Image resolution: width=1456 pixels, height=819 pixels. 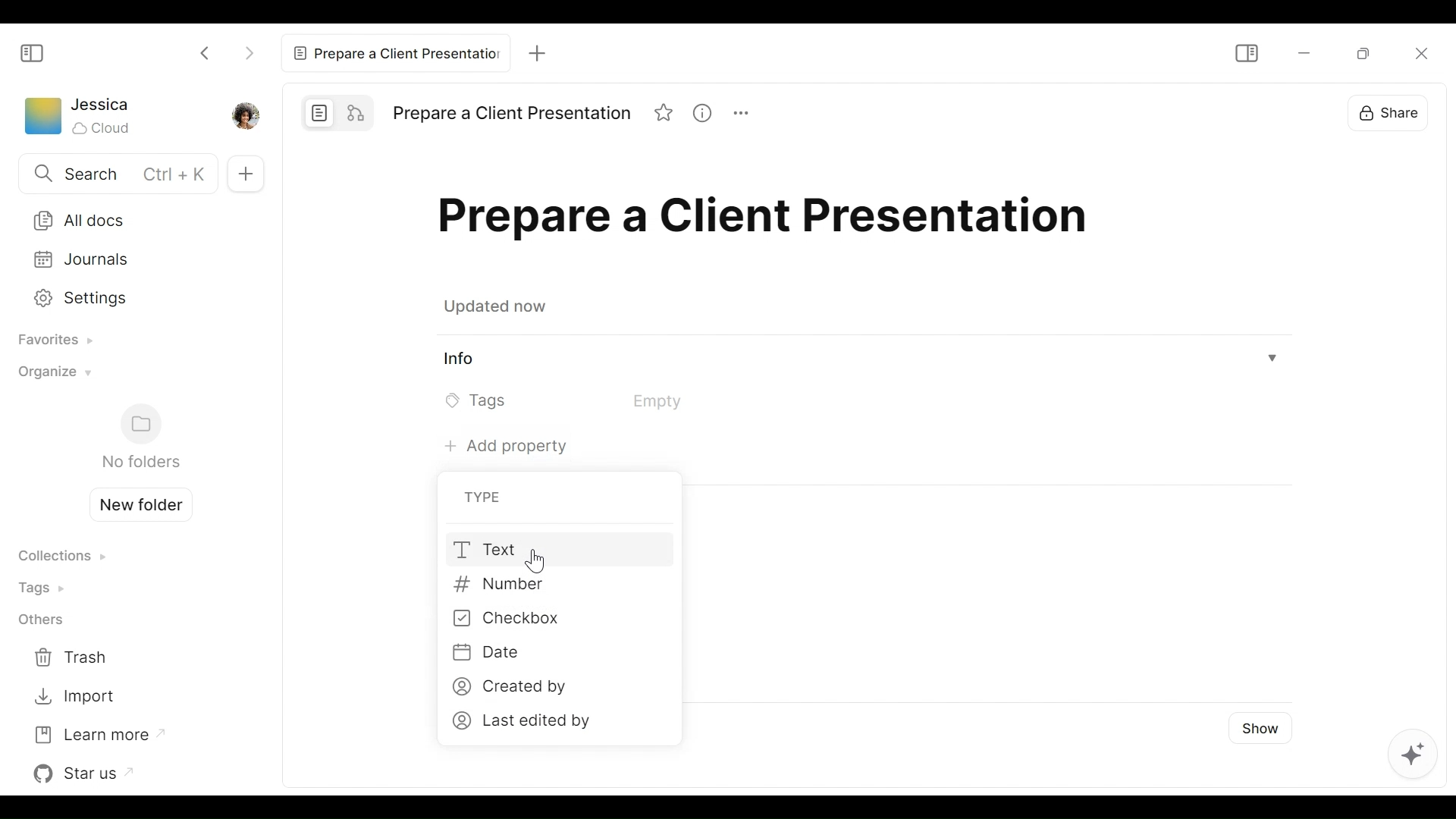 What do you see at coordinates (1414, 61) in the screenshot?
I see `Close` at bounding box center [1414, 61].